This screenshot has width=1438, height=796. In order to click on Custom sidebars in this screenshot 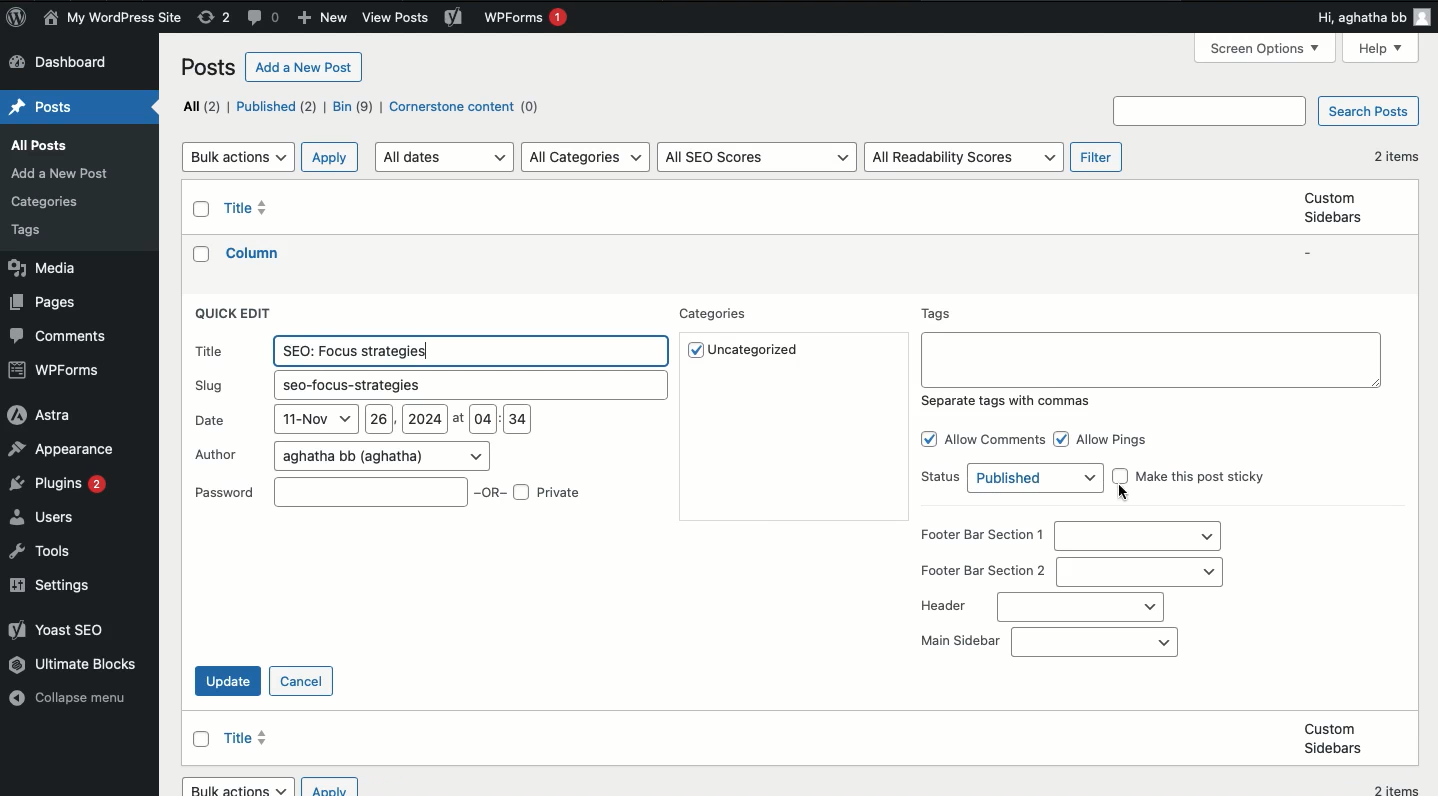, I will do `click(1331, 207)`.